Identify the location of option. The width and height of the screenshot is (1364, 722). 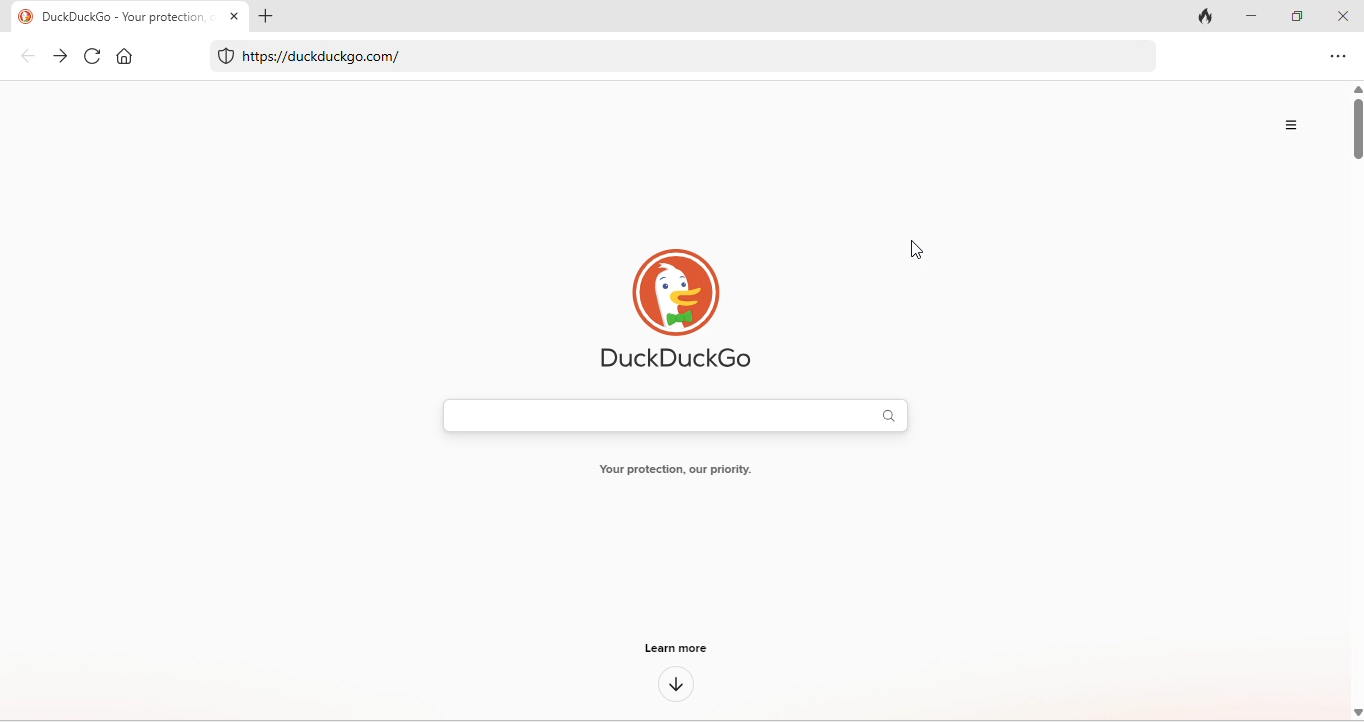
(1295, 126).